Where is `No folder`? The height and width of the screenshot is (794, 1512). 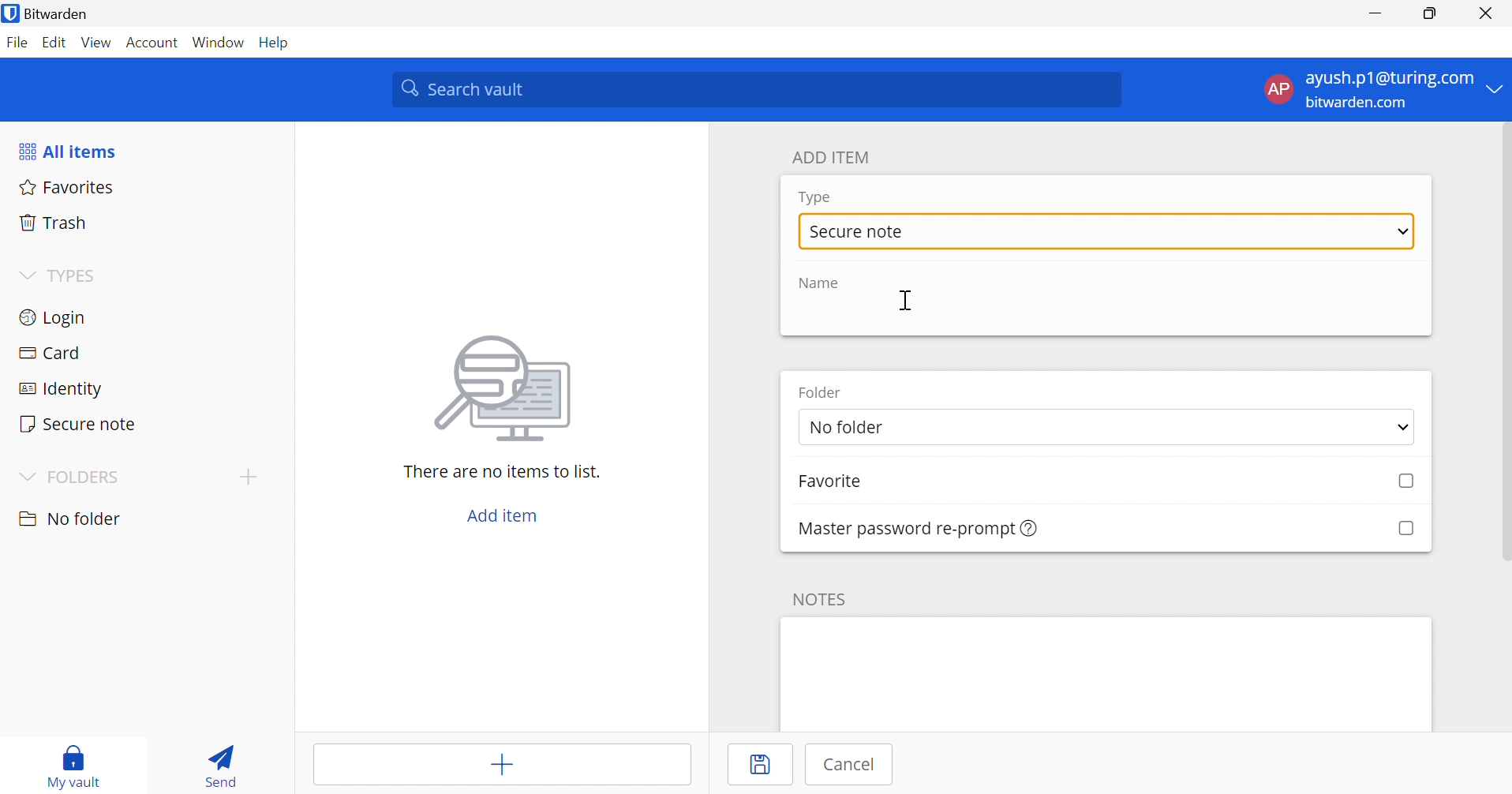 No folder is located at coordinates (73, 519).